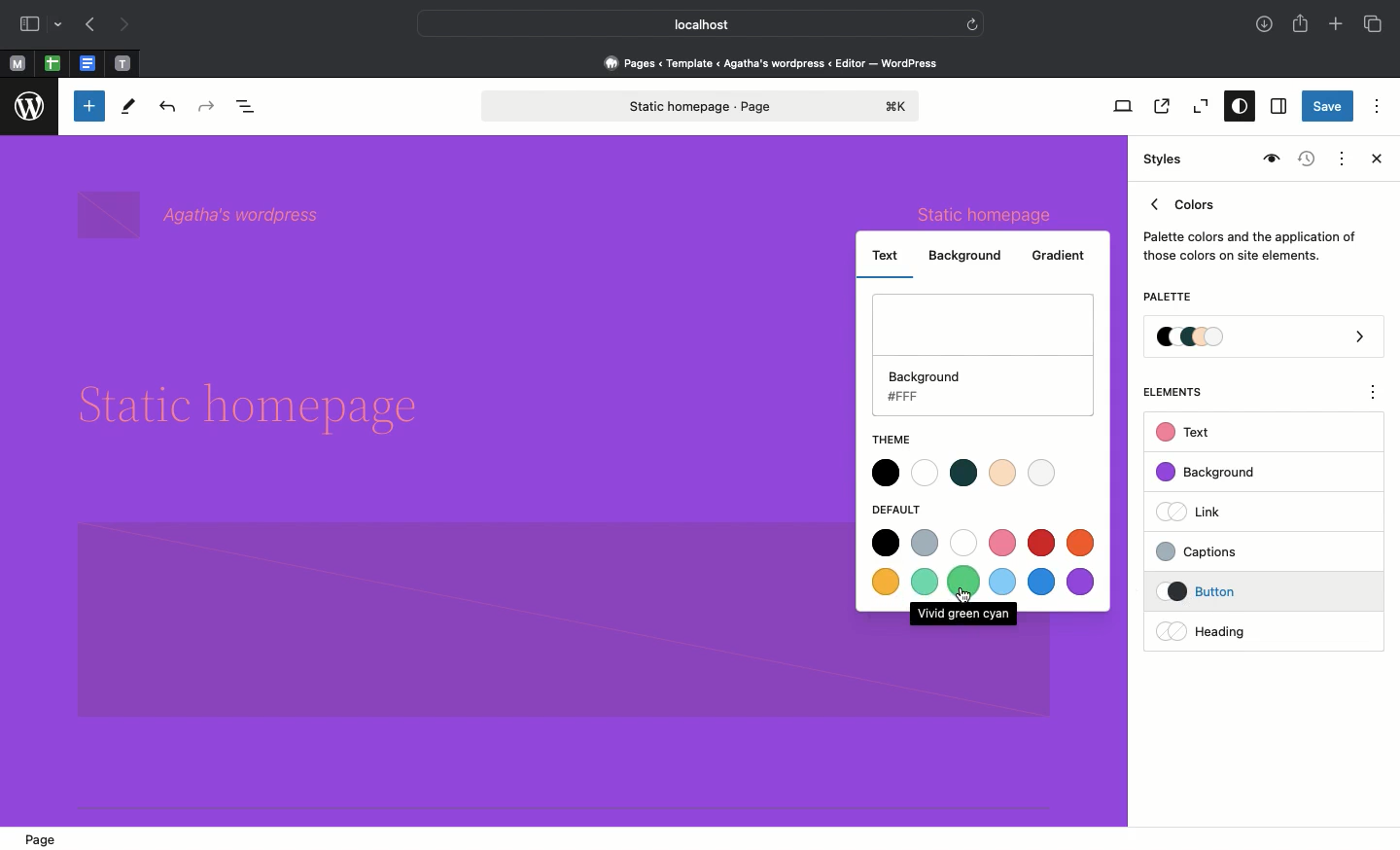  What do you see at coordinates (89, 106) in the screenshot?
I see `Toggle blocker` at bounding box center [89, 106].